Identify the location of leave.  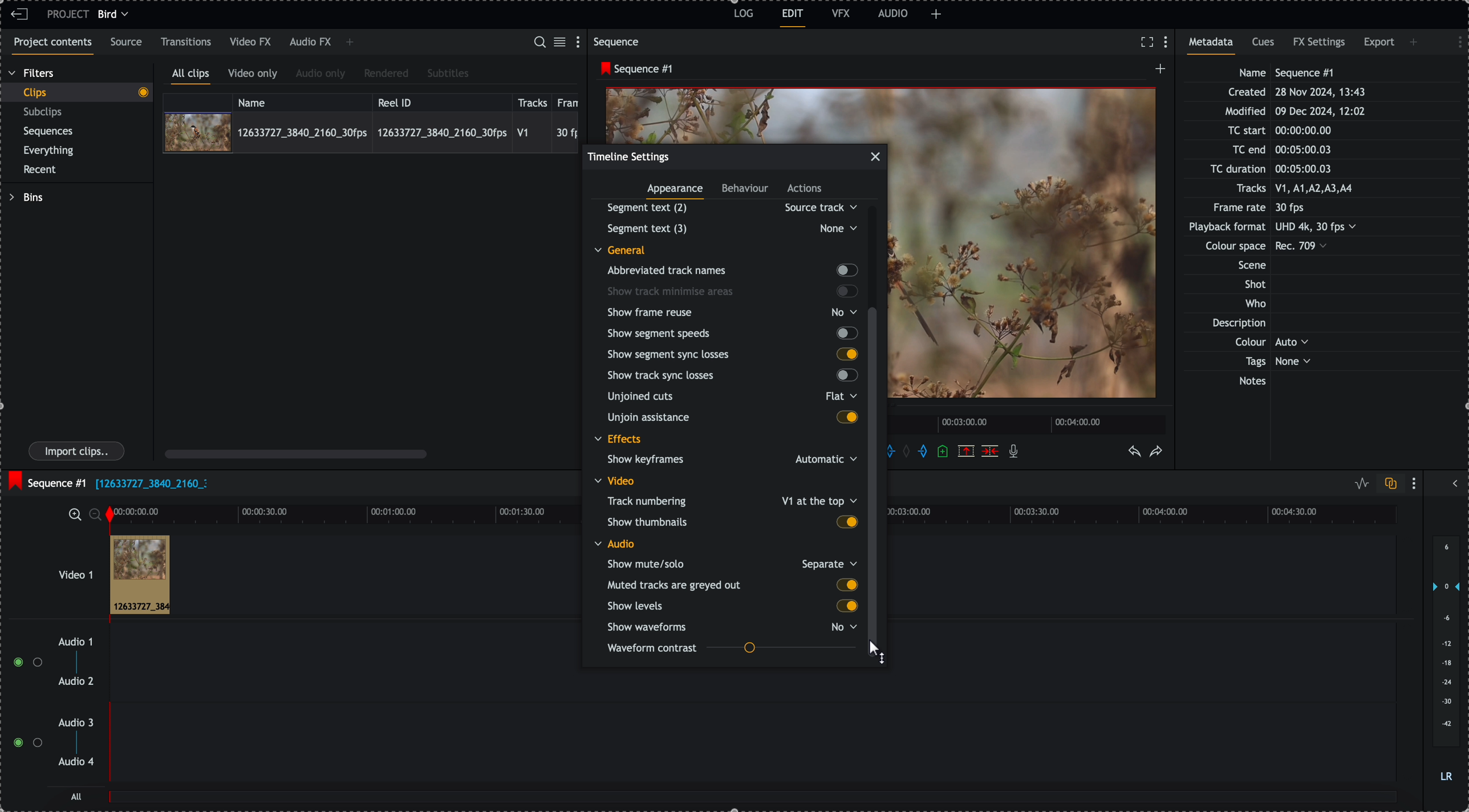
(19, 15).